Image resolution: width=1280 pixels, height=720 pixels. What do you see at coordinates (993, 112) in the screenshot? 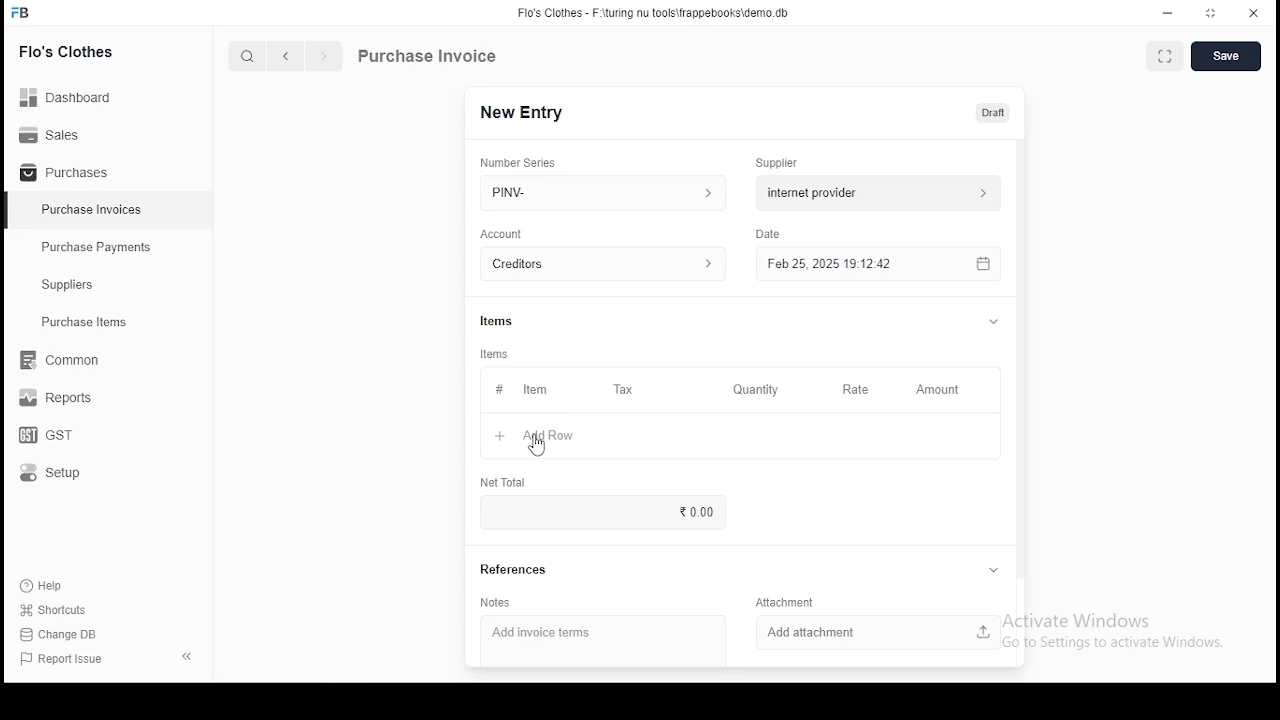
I see `draft` at bounding box center [993, 112].